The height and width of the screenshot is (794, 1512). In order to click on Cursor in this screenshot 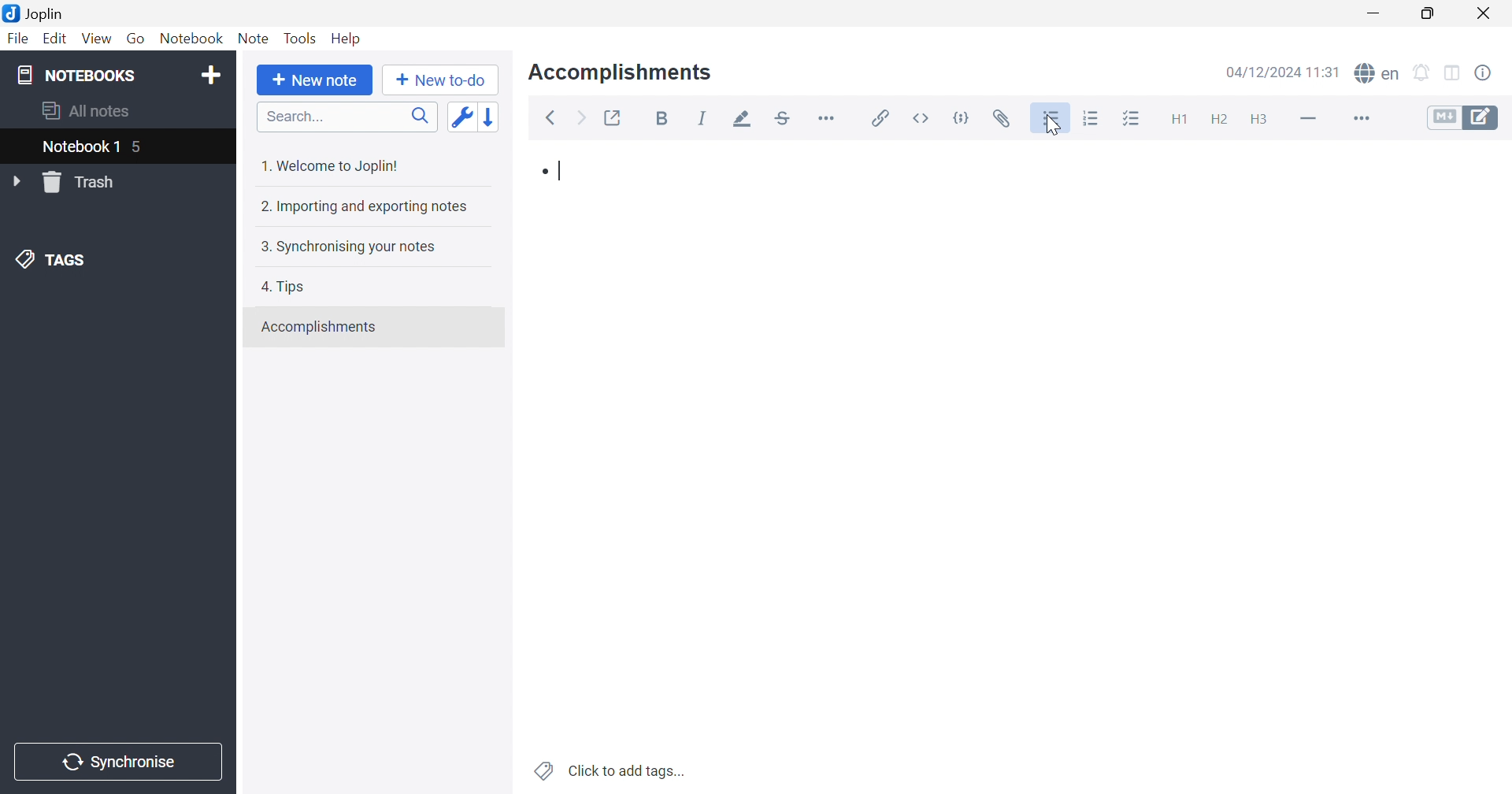, I will do `click(1048, 127)`.